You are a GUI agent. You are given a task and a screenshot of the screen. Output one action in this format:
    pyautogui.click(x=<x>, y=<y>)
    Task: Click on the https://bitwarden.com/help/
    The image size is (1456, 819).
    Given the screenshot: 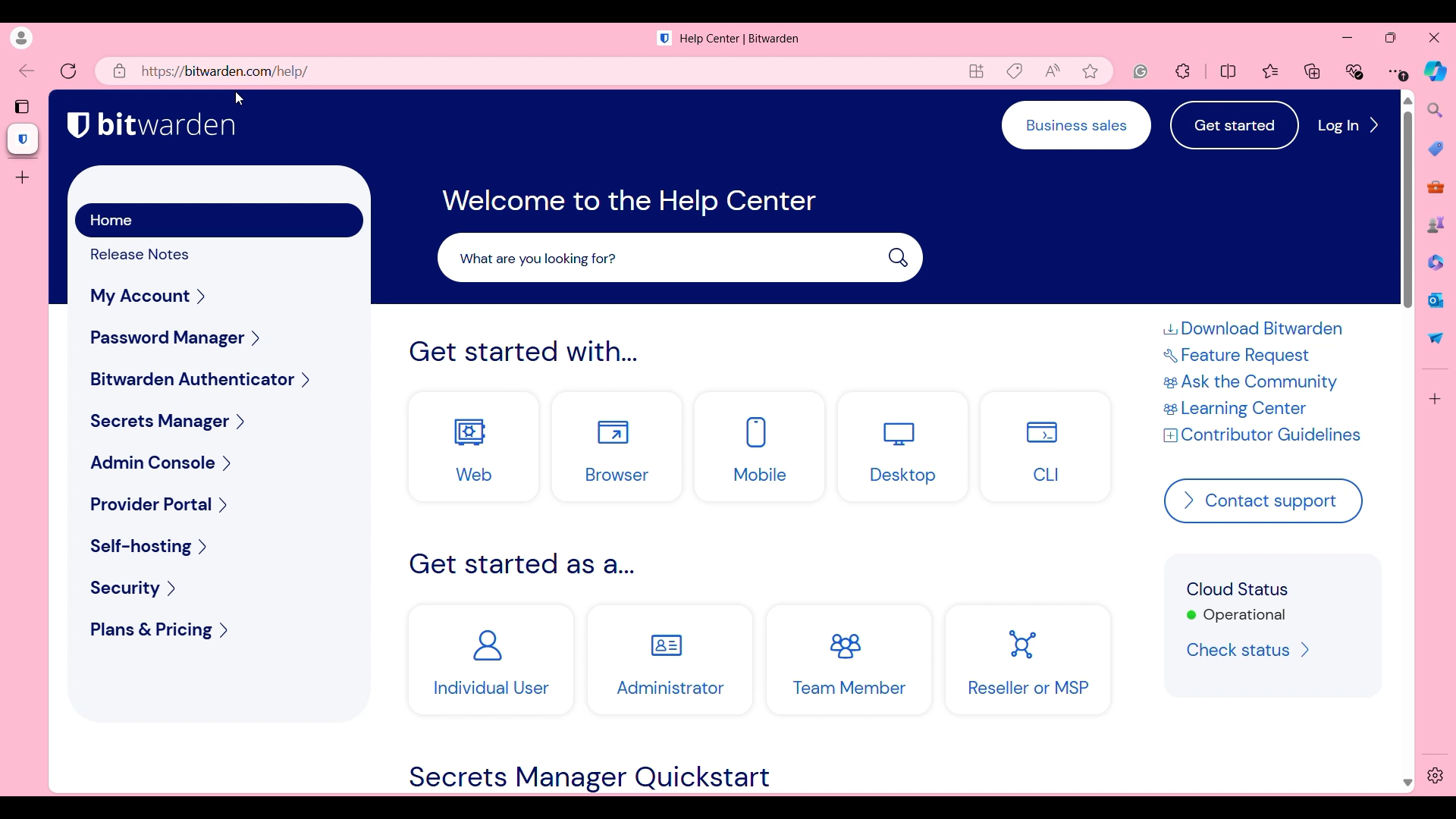 What is the action you would take?
    pyautogui.click(x=224, y=71)
    